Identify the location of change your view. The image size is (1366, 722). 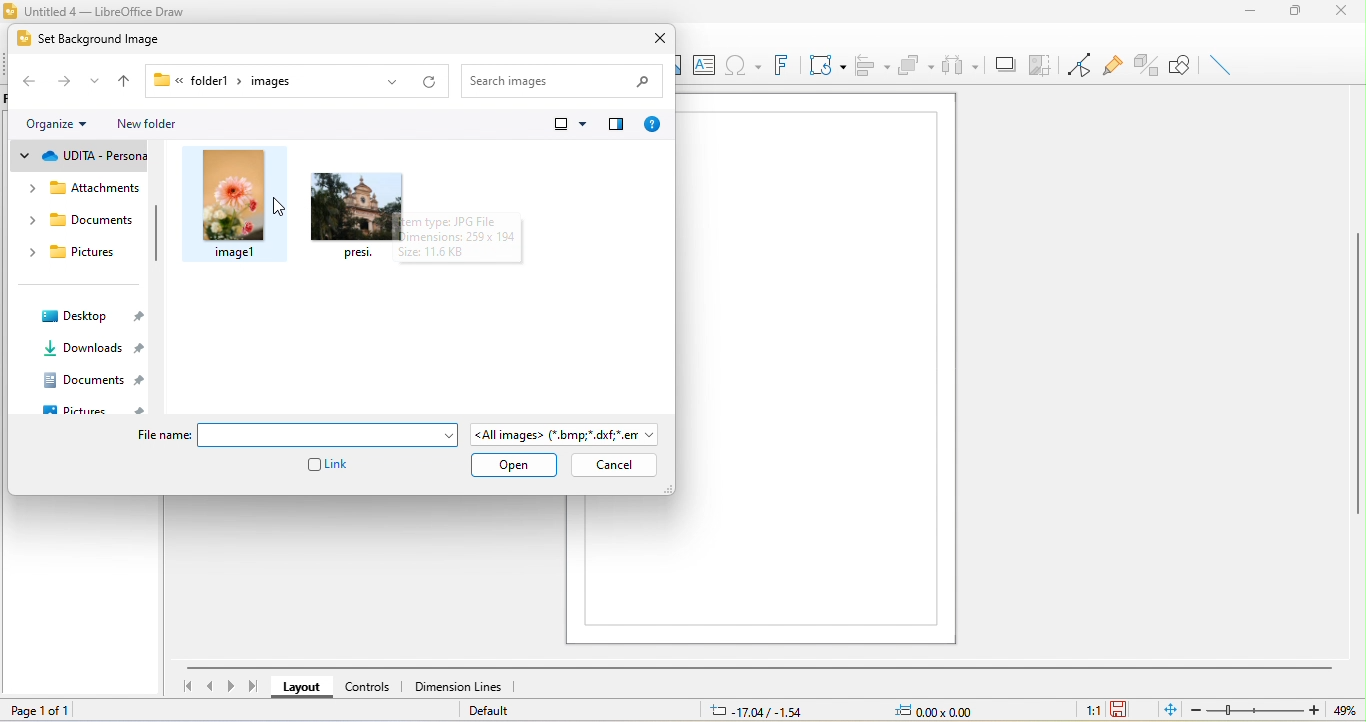
(566, 126).